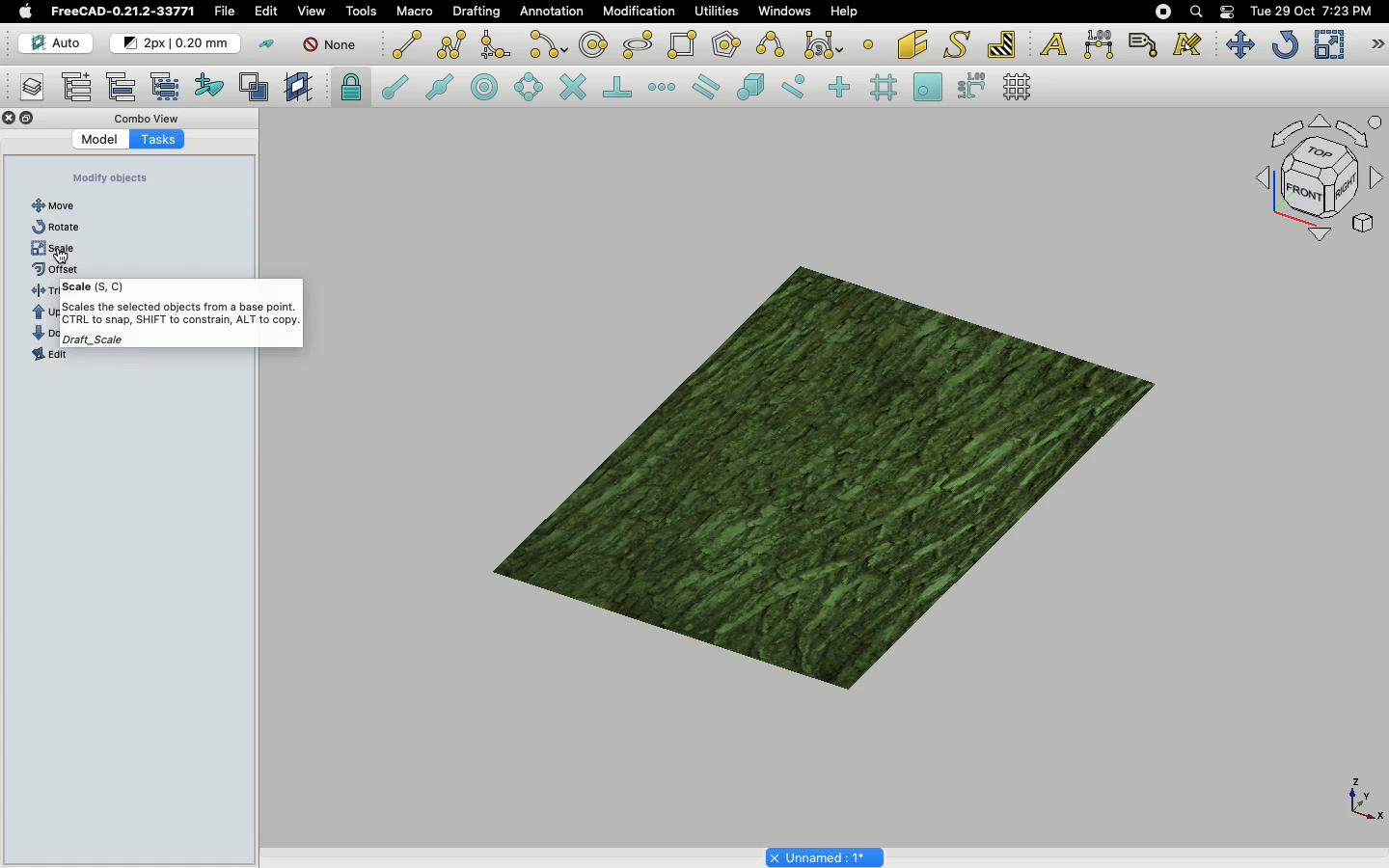 The width and height of the screenshot is (1389, 868). Describe the element at coordinates (1315, 181) in the screenshot. I see `Navigation styles` at that location.